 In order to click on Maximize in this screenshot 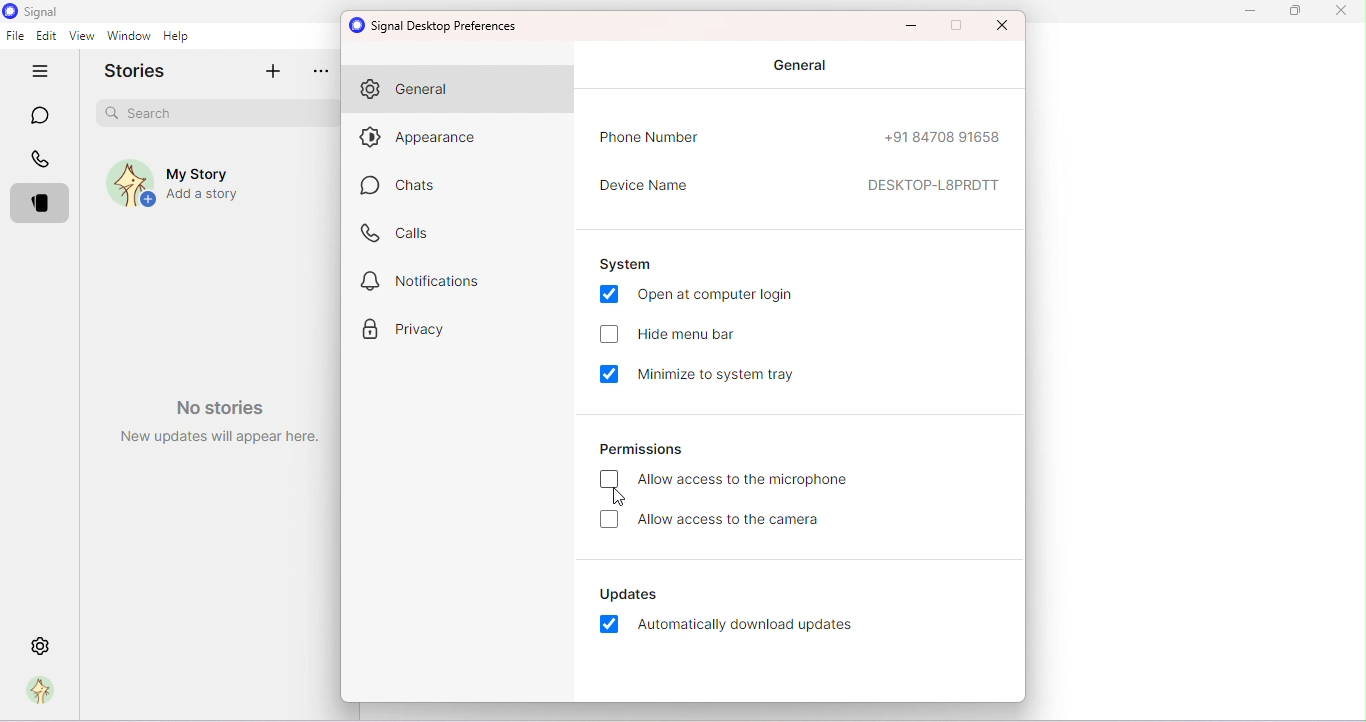, I will do `click(1297, 12)`.